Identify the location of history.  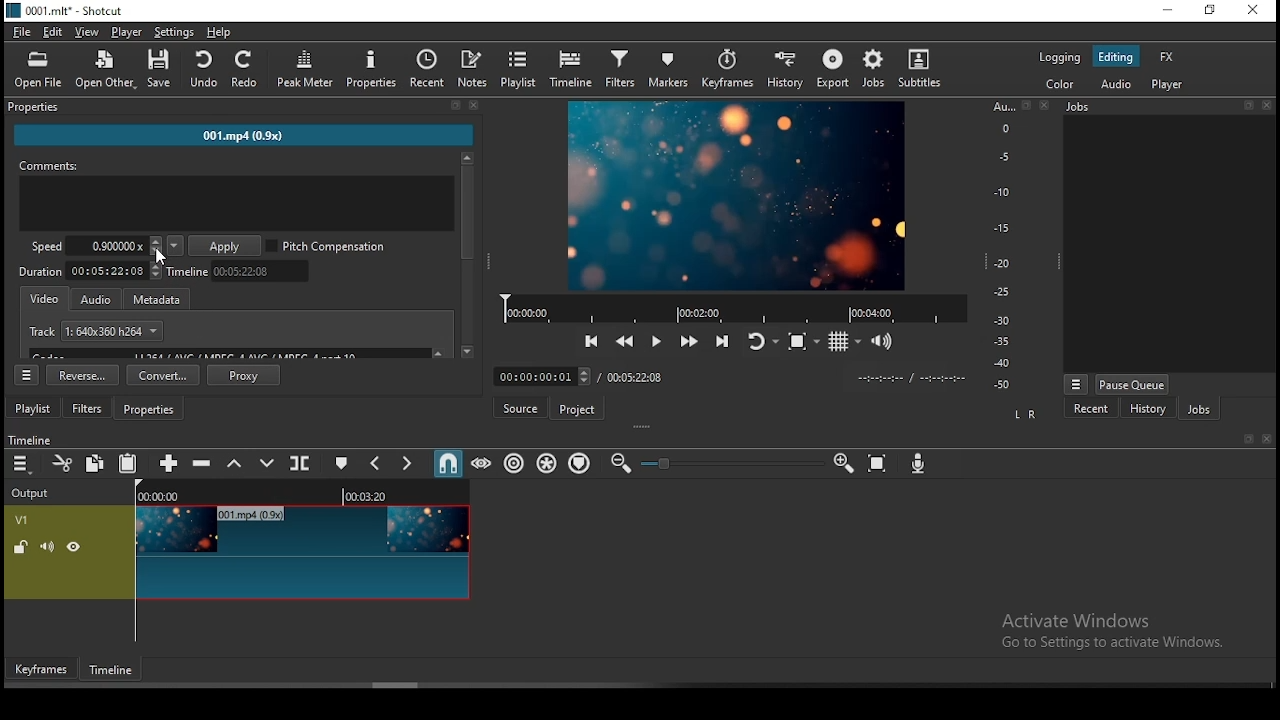
(1148, 409).